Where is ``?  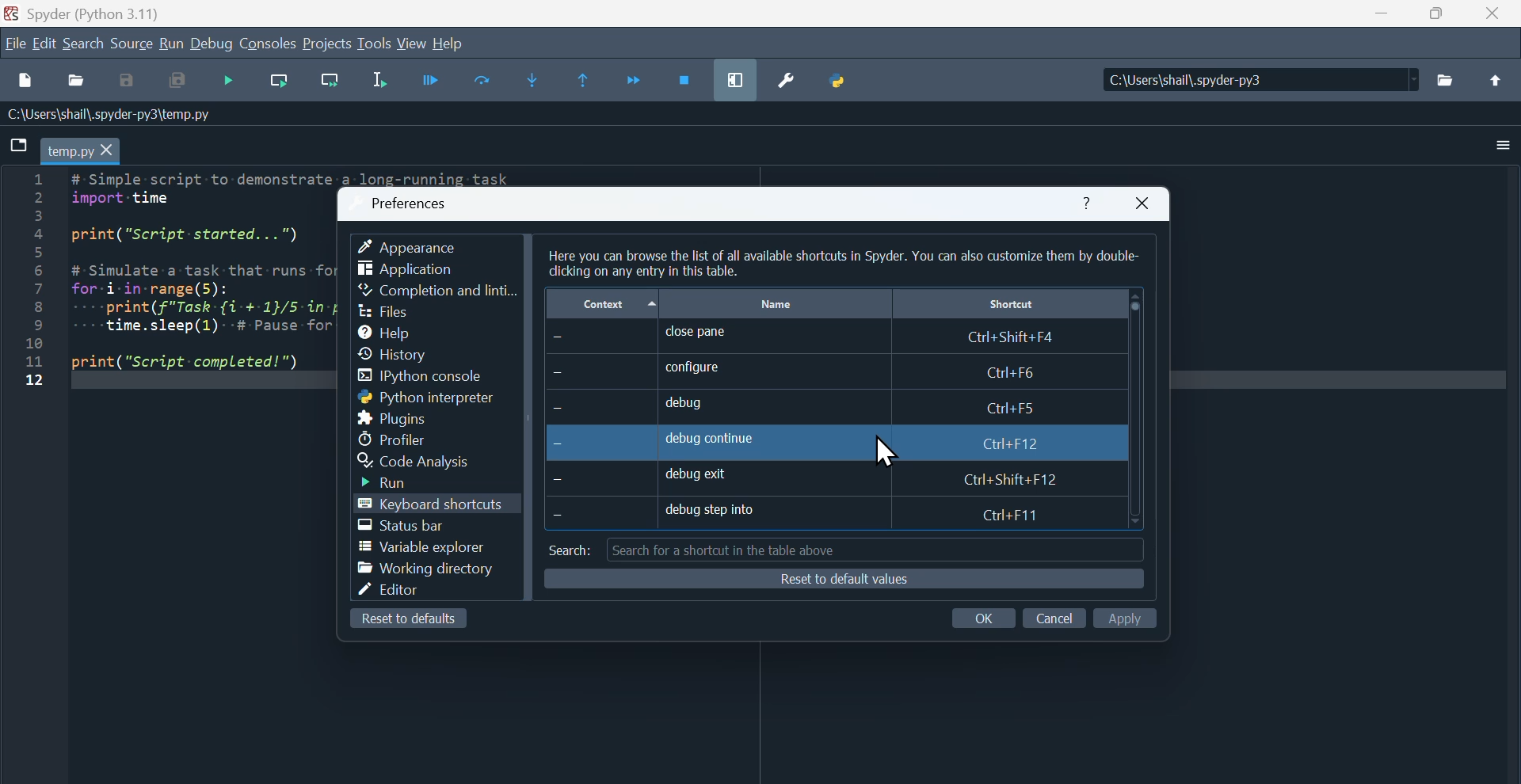  is located at coordinates (126, 82).